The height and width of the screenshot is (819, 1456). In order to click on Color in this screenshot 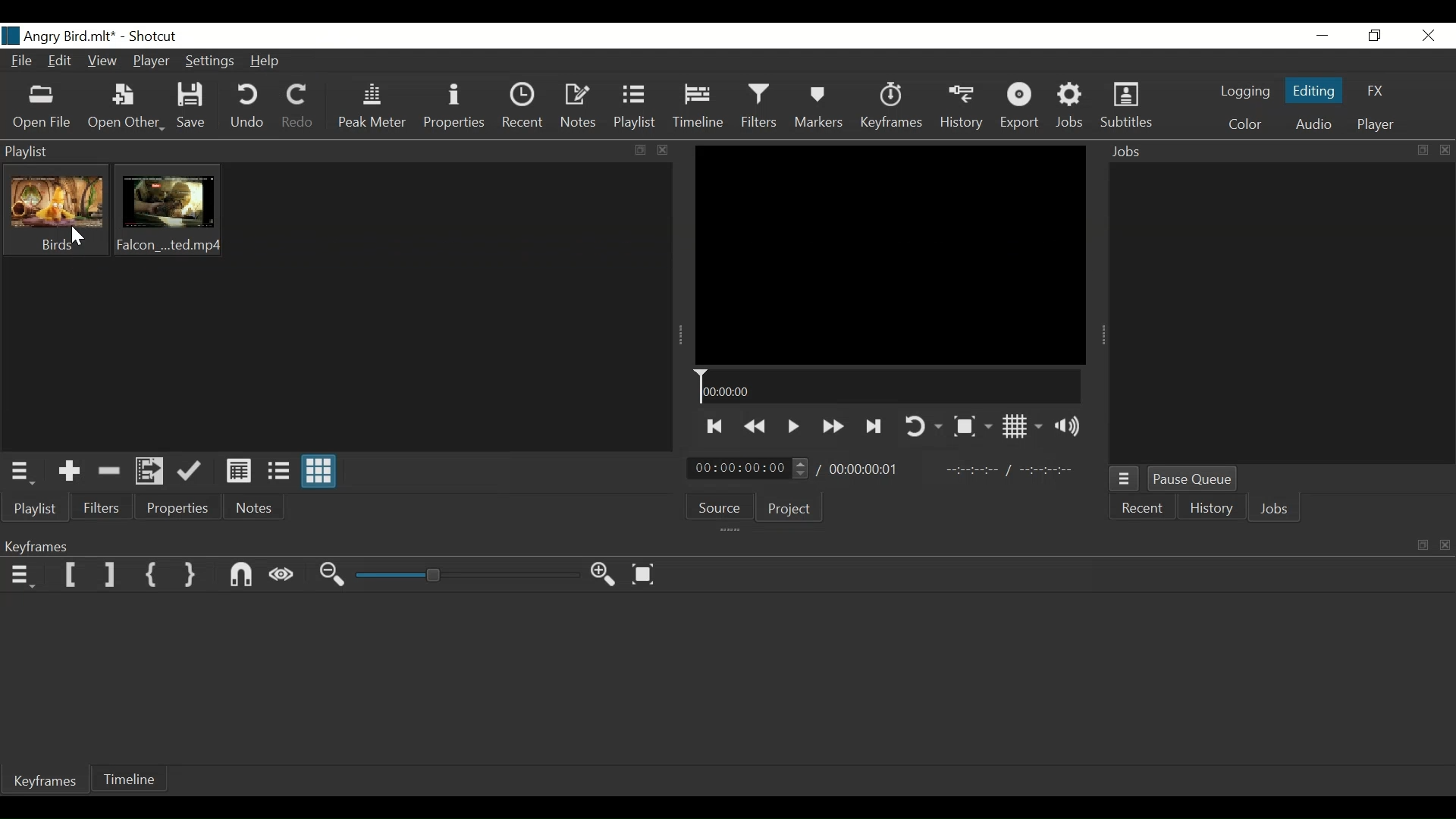, I will do `click(1244, 124)`.